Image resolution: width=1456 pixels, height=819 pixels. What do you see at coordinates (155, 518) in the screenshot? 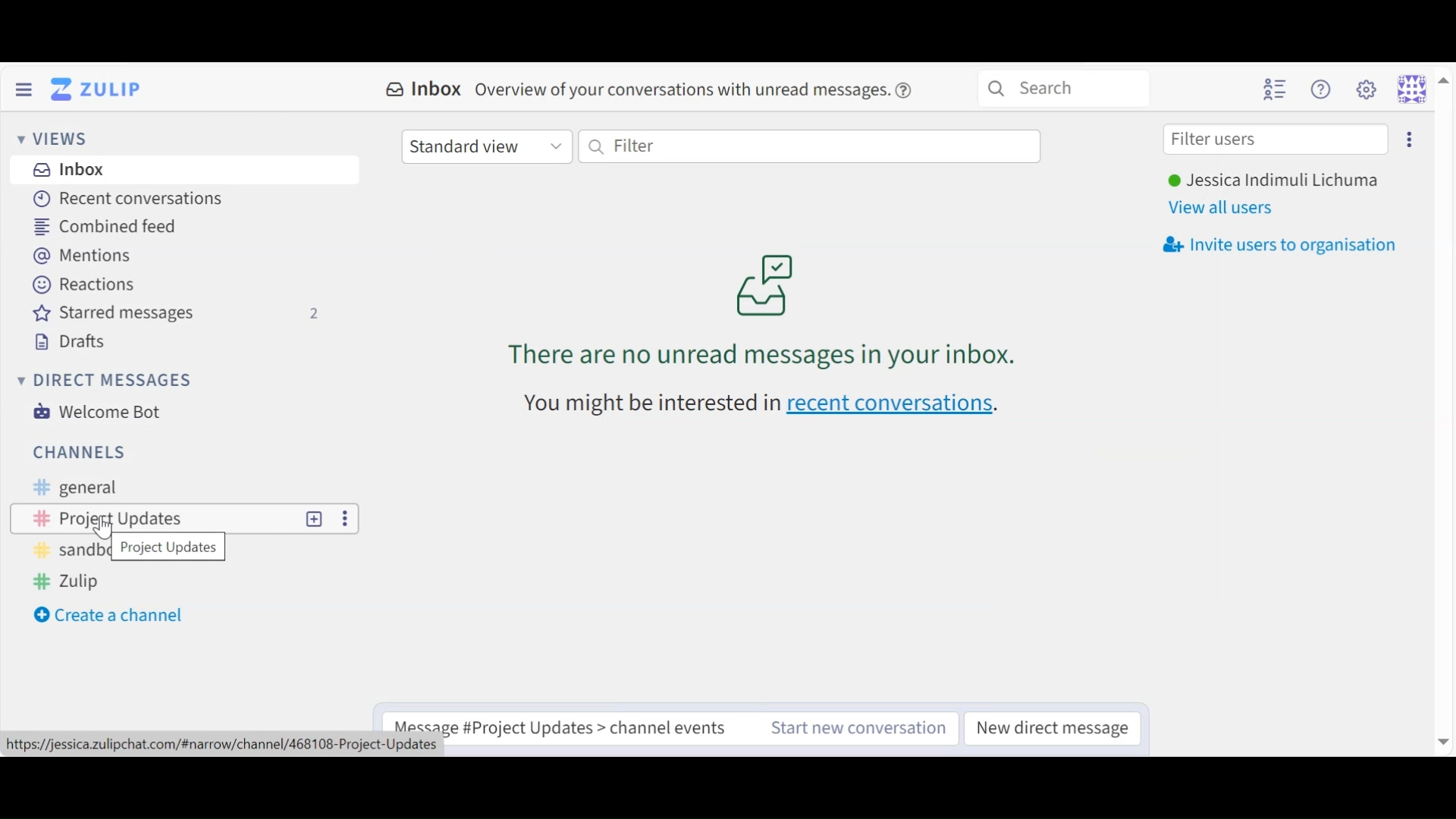
I see `Channel` at bounding box center [155, 518].